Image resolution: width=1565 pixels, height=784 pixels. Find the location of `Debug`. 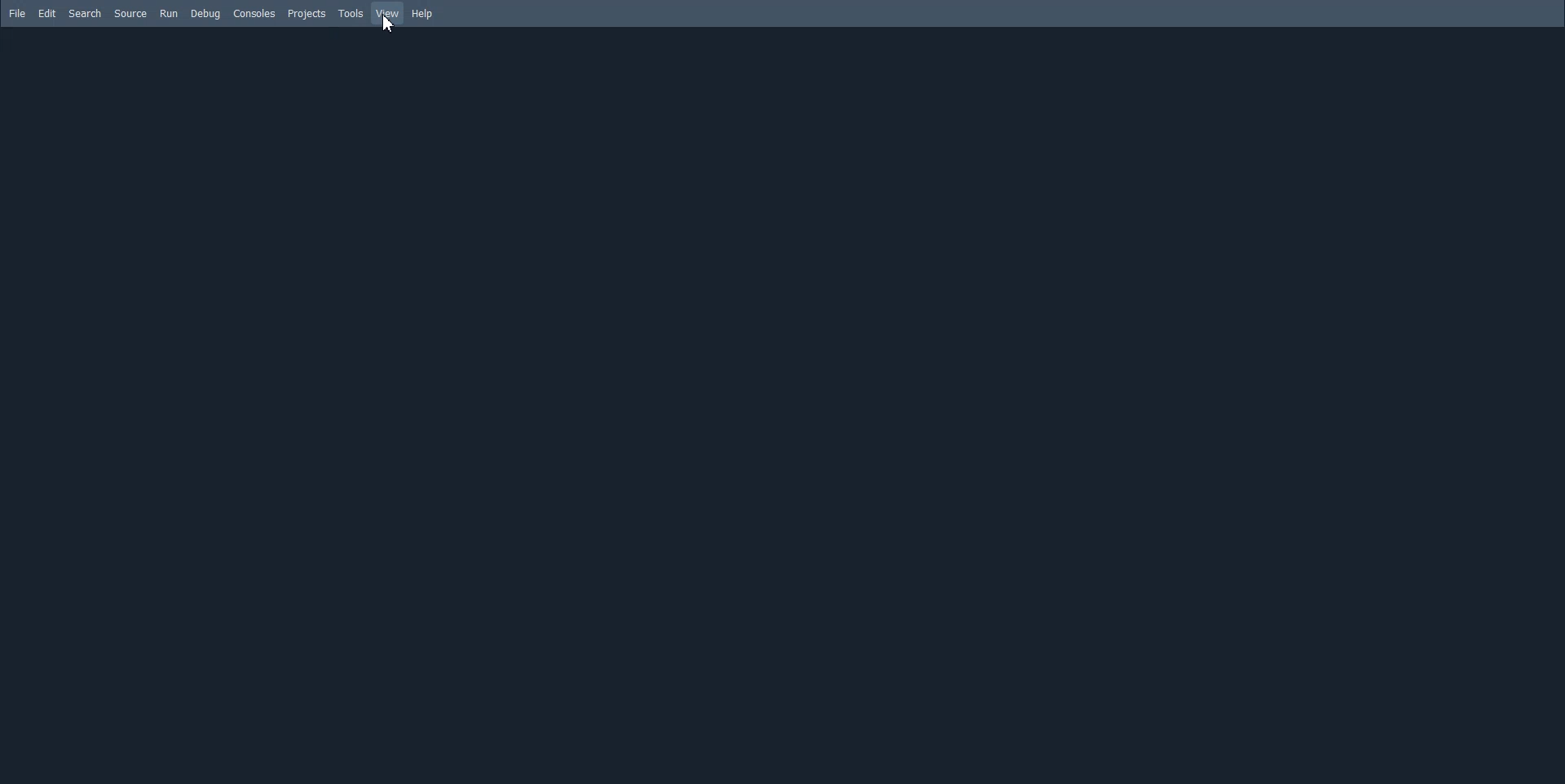

Debug is located at coordinates (205, 13).